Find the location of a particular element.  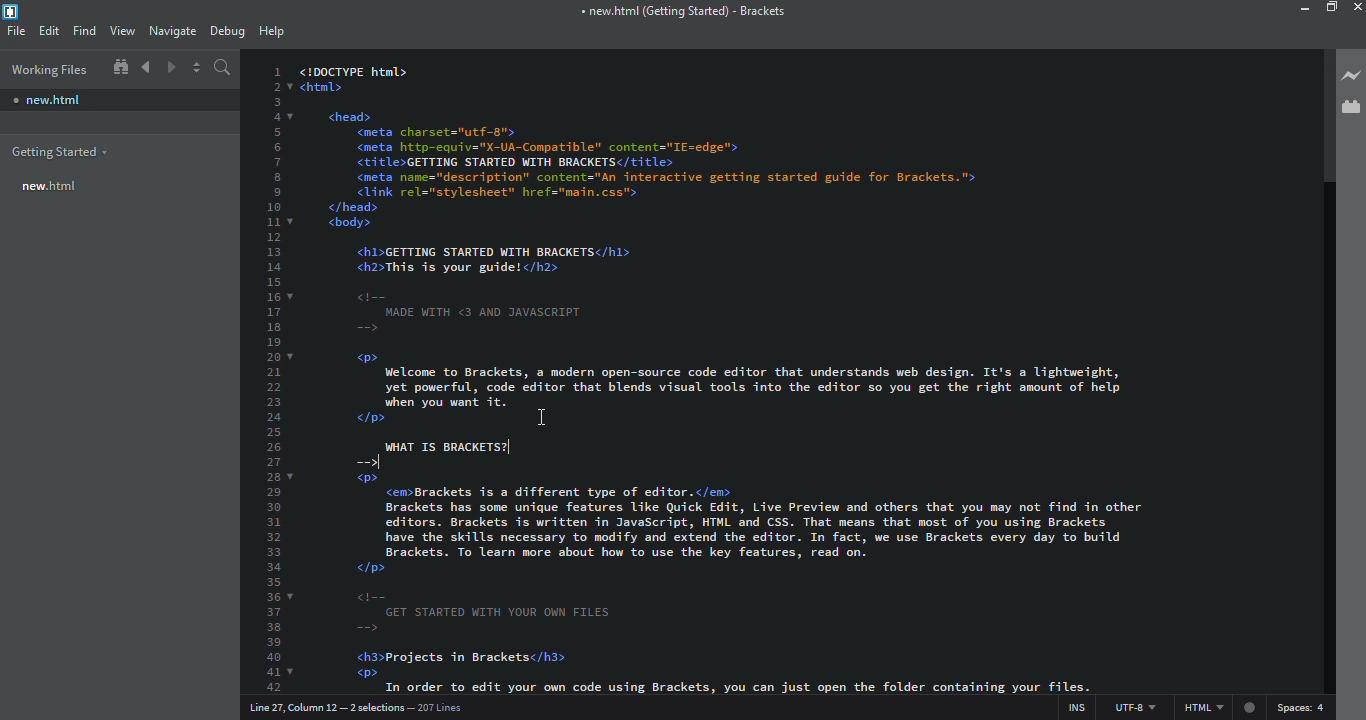

html is located at coordinates (1219, 709).